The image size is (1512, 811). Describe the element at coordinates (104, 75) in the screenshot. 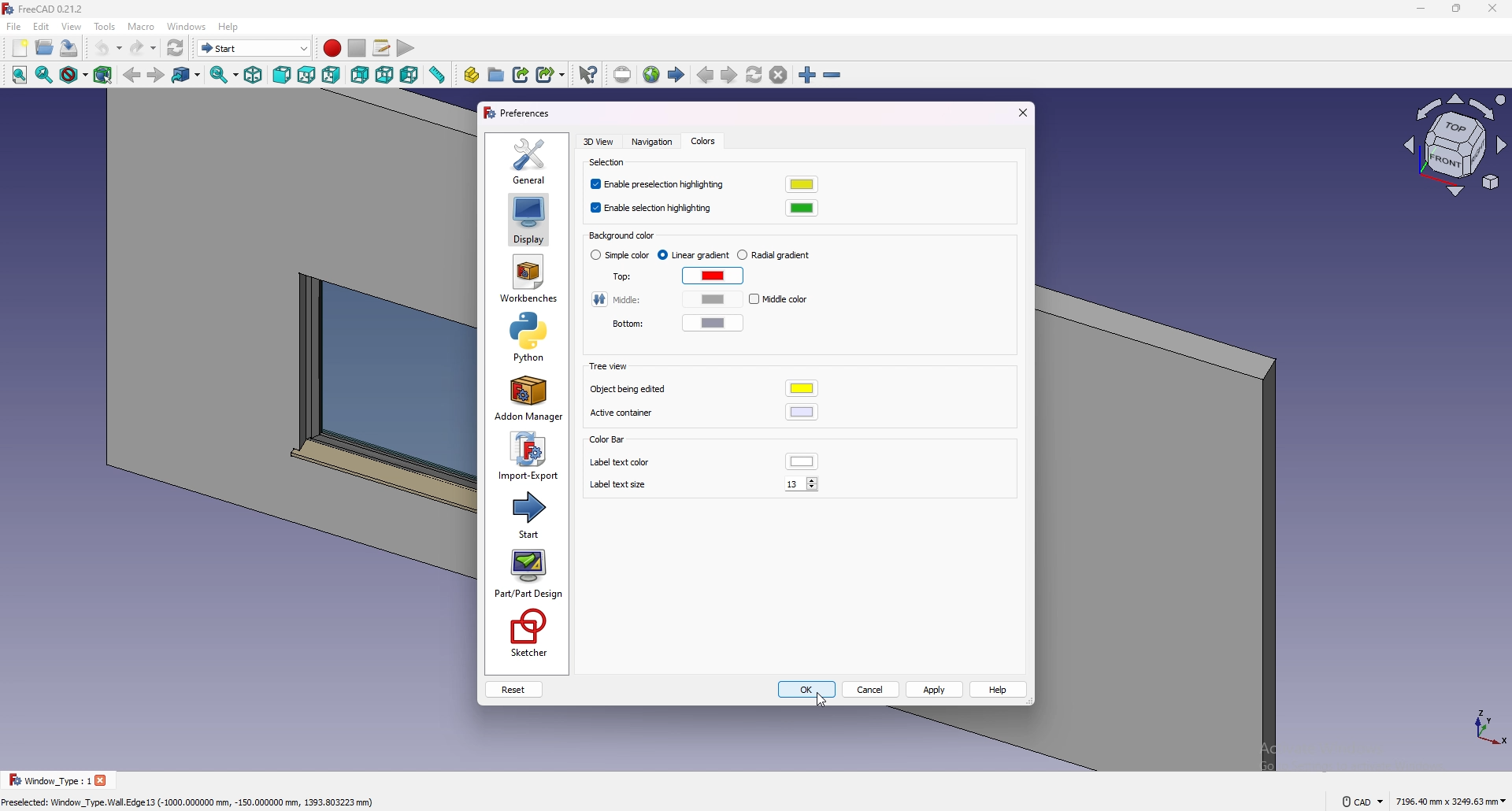

I see `bounding box` at that location.